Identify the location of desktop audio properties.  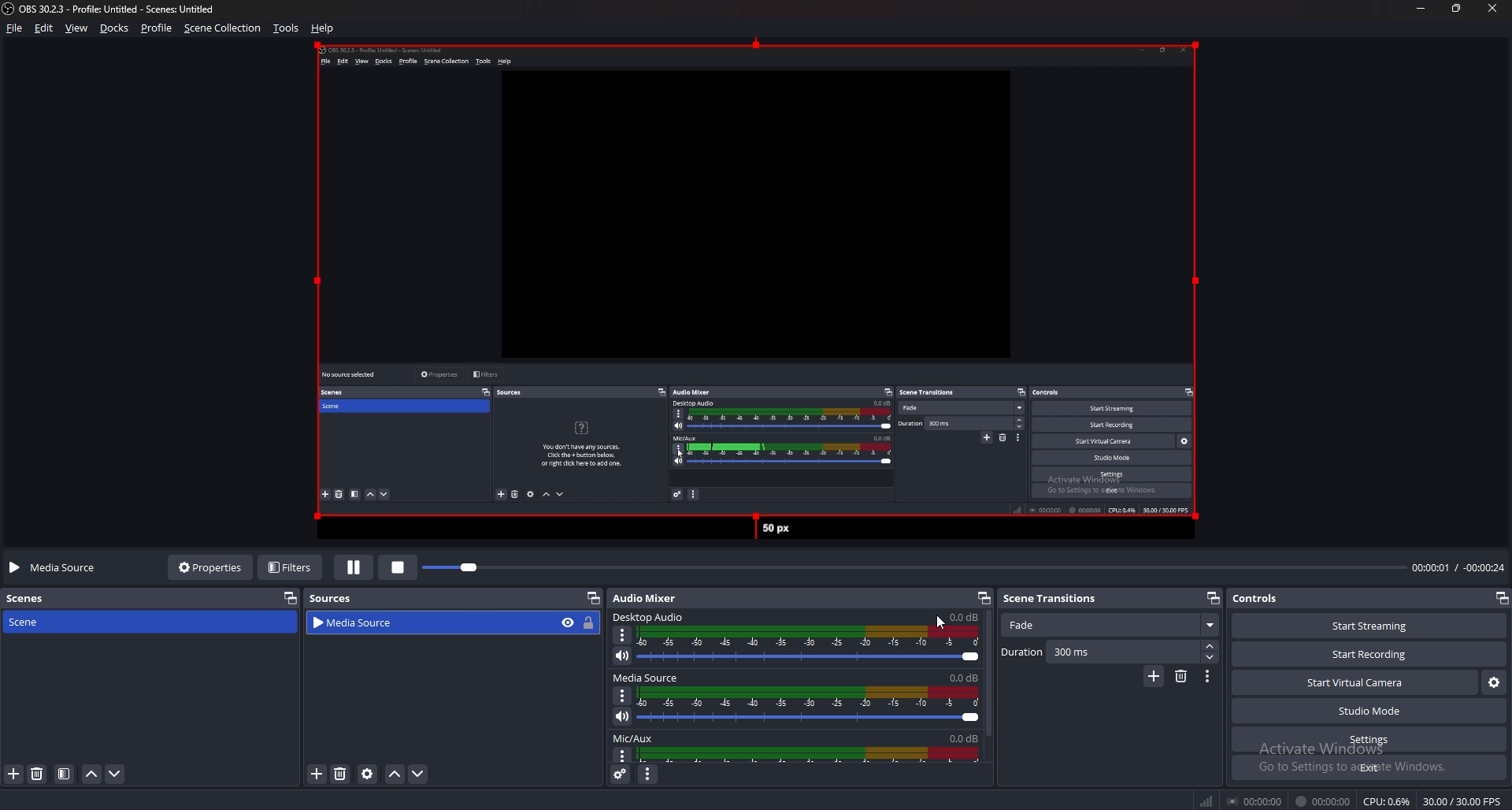
(621, 634).